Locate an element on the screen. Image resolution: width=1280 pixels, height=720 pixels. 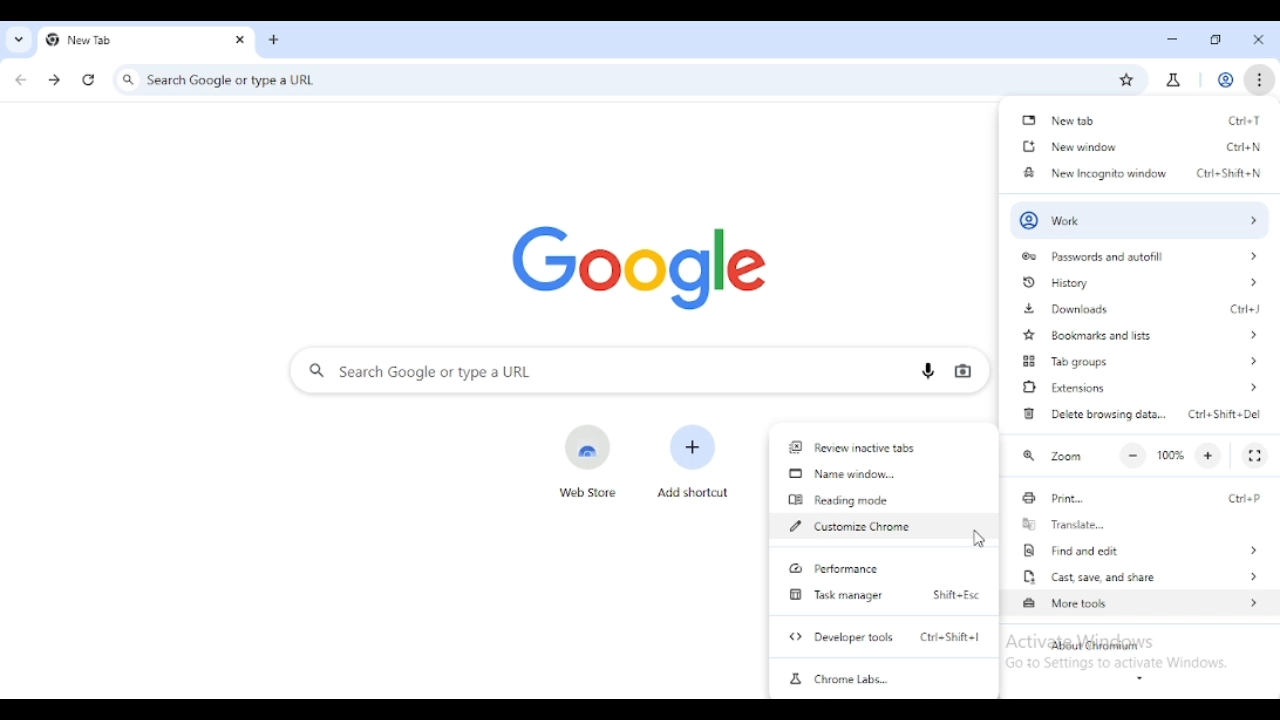
more tools is located at coordinates (1142, 602).